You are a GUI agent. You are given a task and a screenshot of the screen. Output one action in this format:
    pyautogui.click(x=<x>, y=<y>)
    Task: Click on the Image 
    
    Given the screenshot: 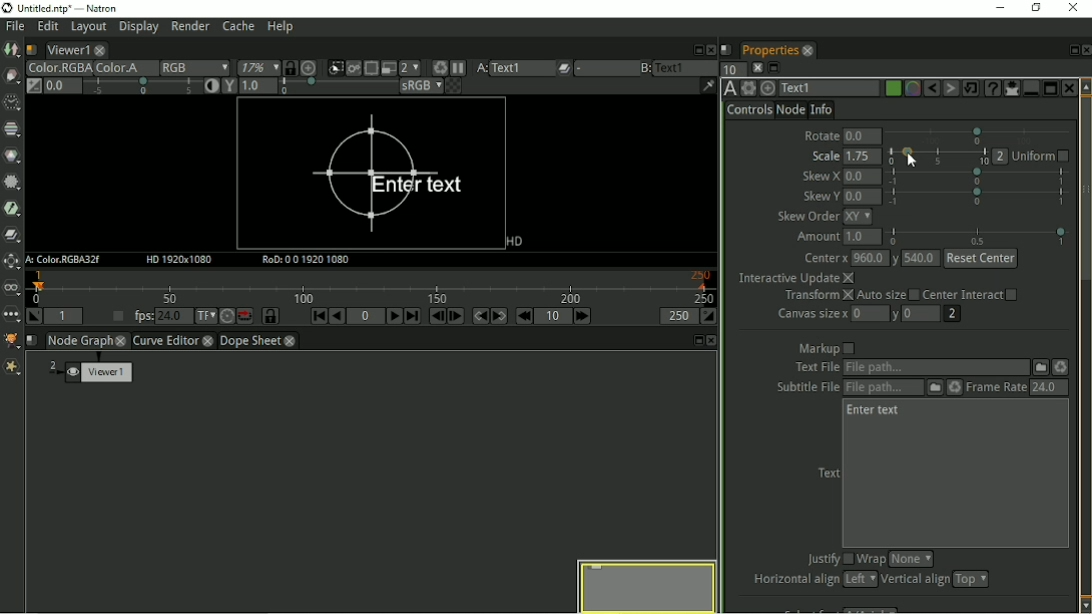 What is the action you would take?
    pyautogui.click(x=12, y=50)
    